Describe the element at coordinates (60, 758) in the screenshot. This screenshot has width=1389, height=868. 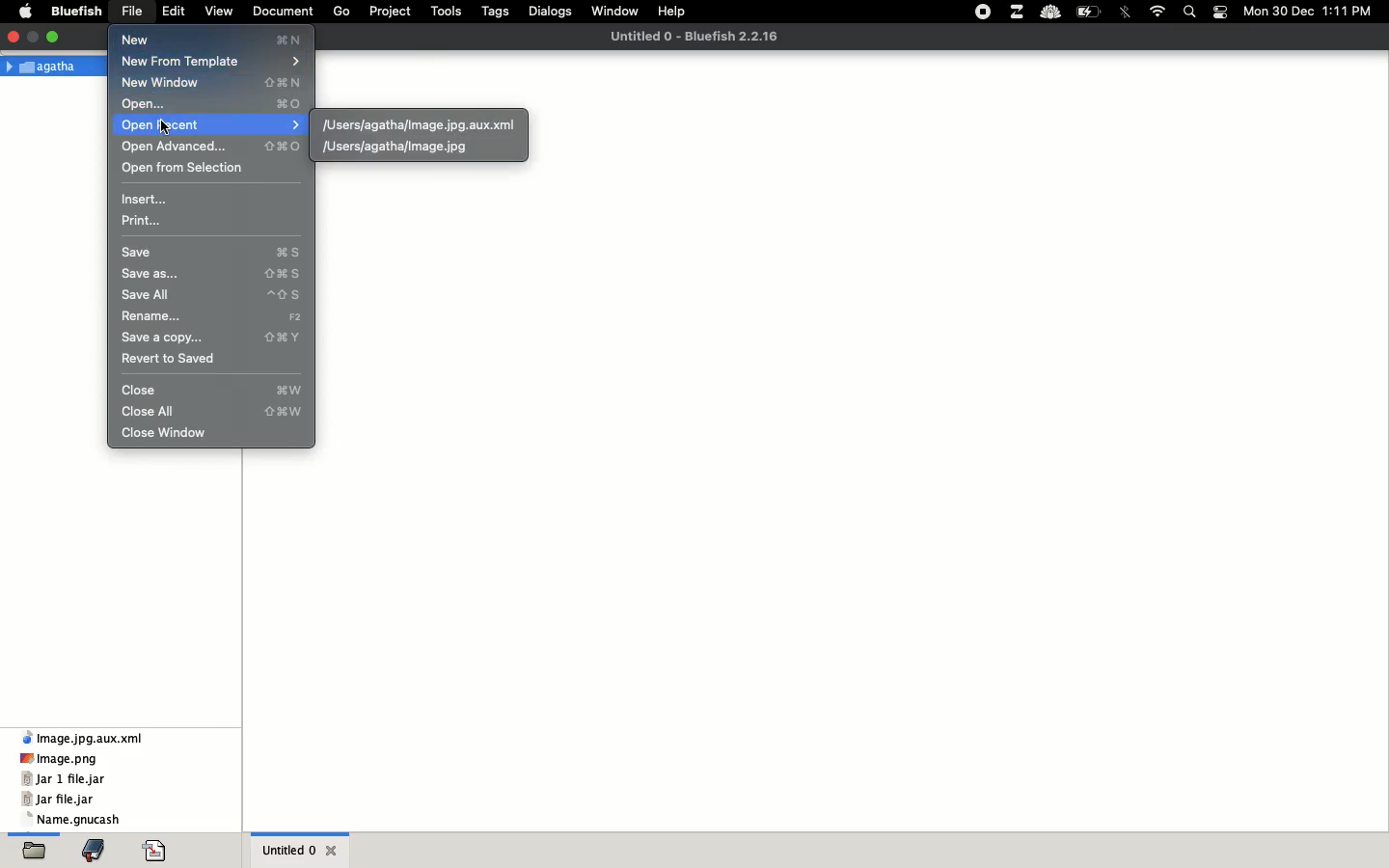
I see `image.png` at that location.